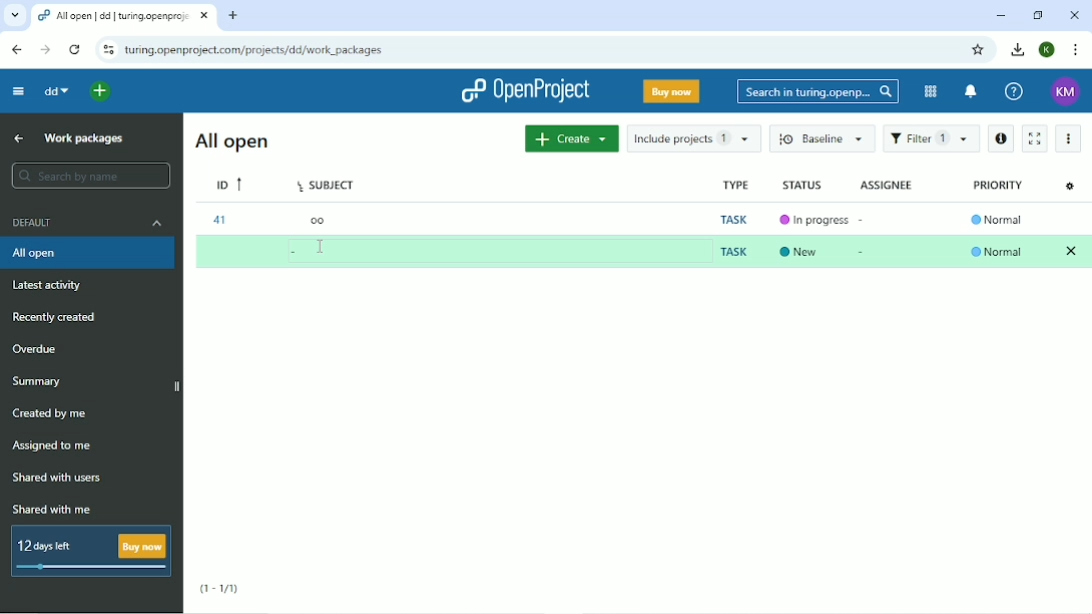 The image size is (1092, 614). I want to click on Downloads, so click(1018, 50).